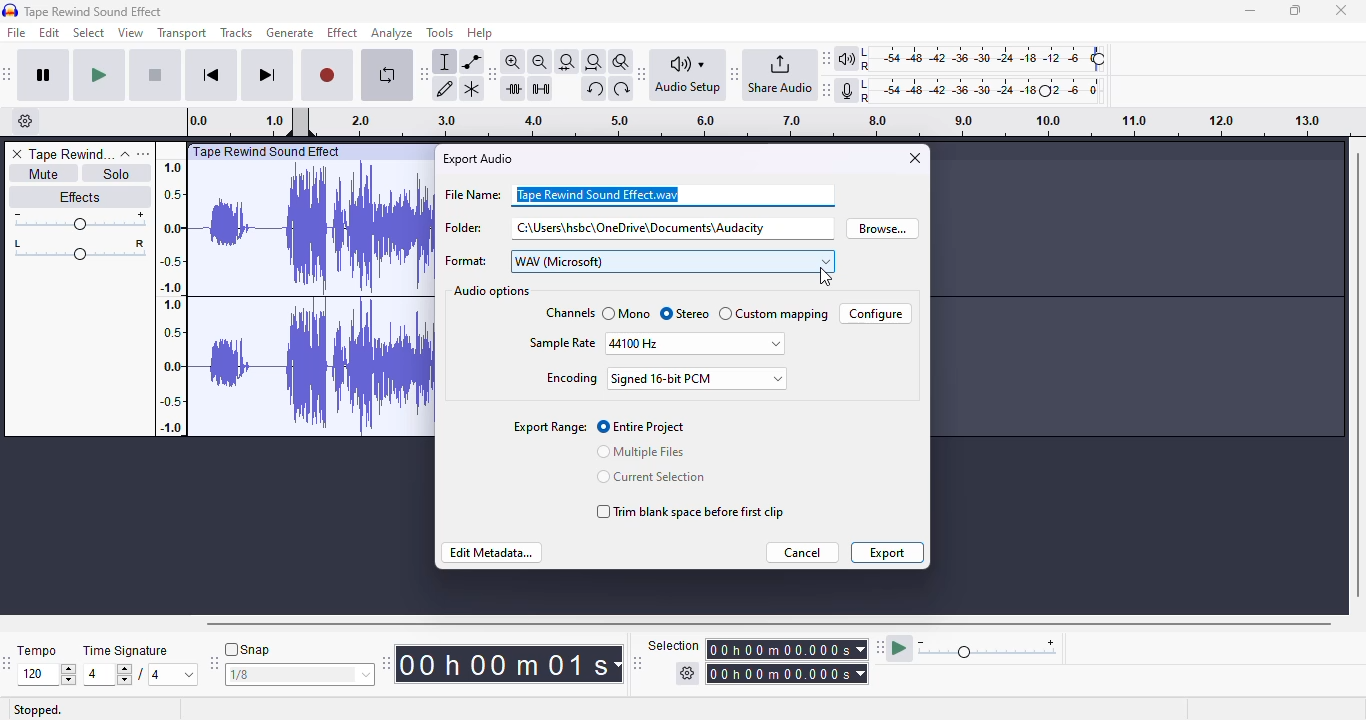  I want to click on close, so click(916, 158).